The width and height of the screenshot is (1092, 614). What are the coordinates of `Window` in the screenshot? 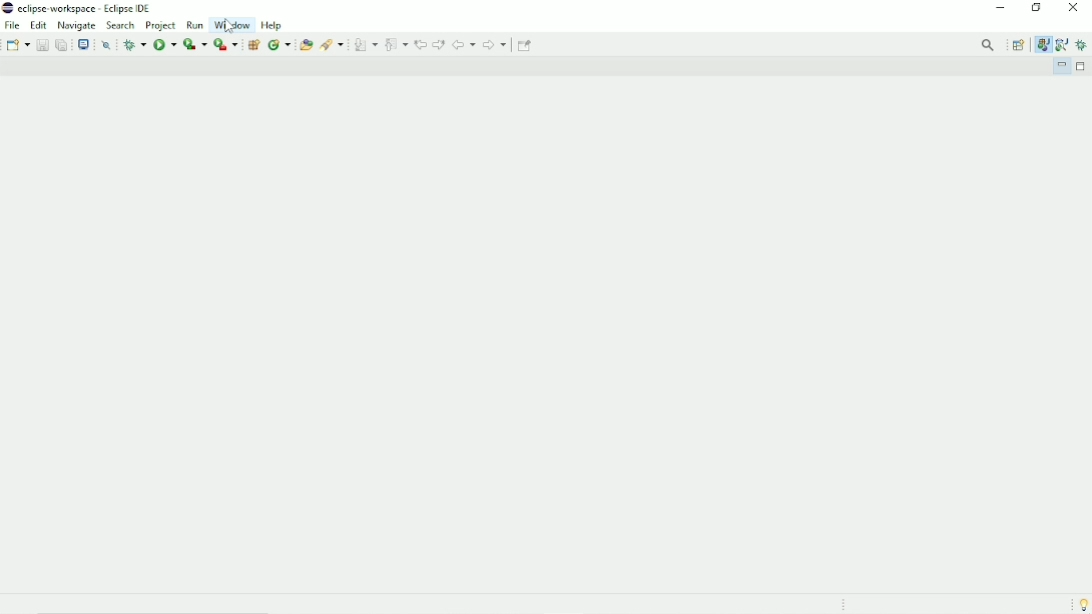 It's located at (232, 25).